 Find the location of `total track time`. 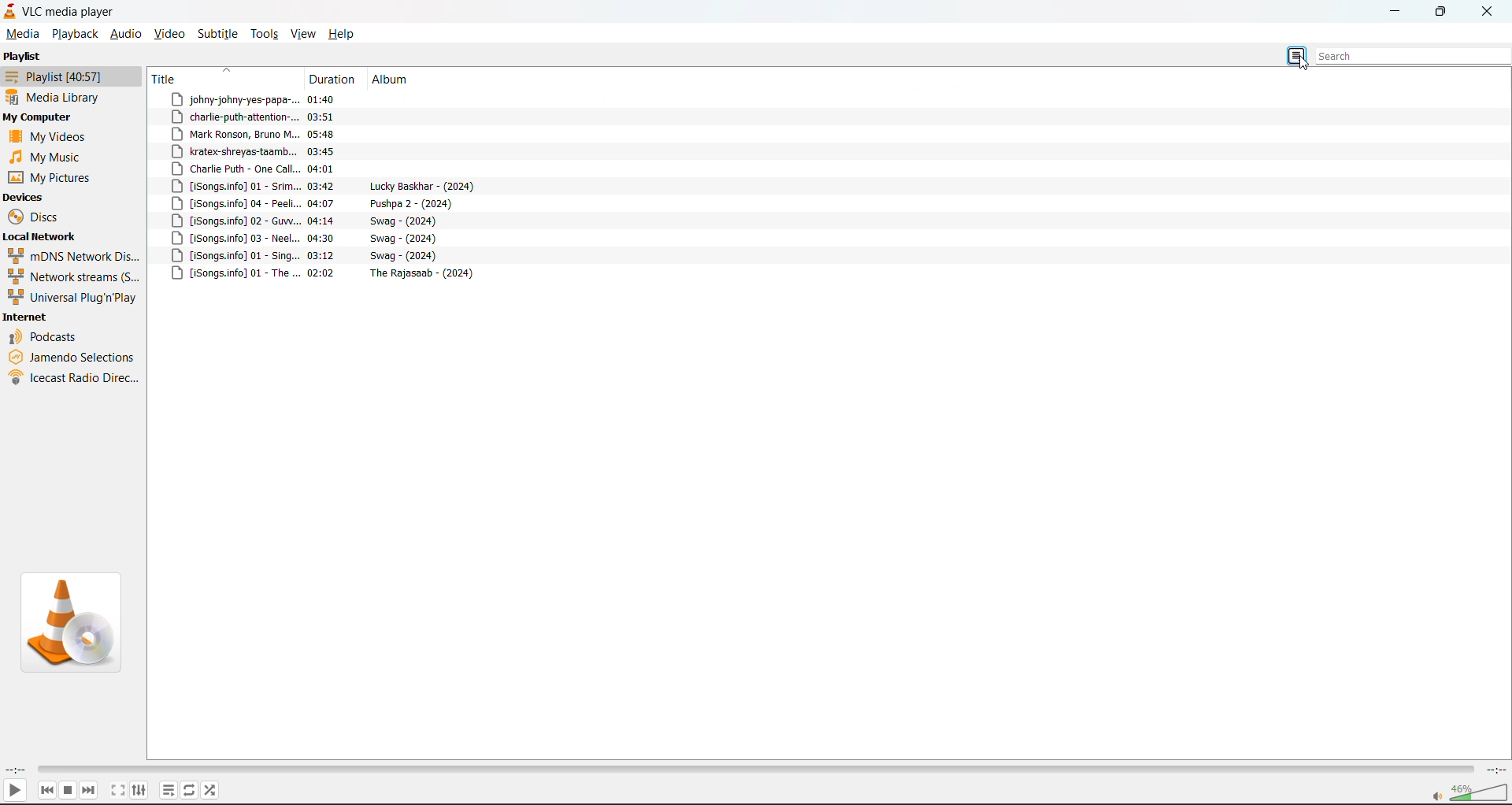

total track time is located at coordinates (1495, 772).